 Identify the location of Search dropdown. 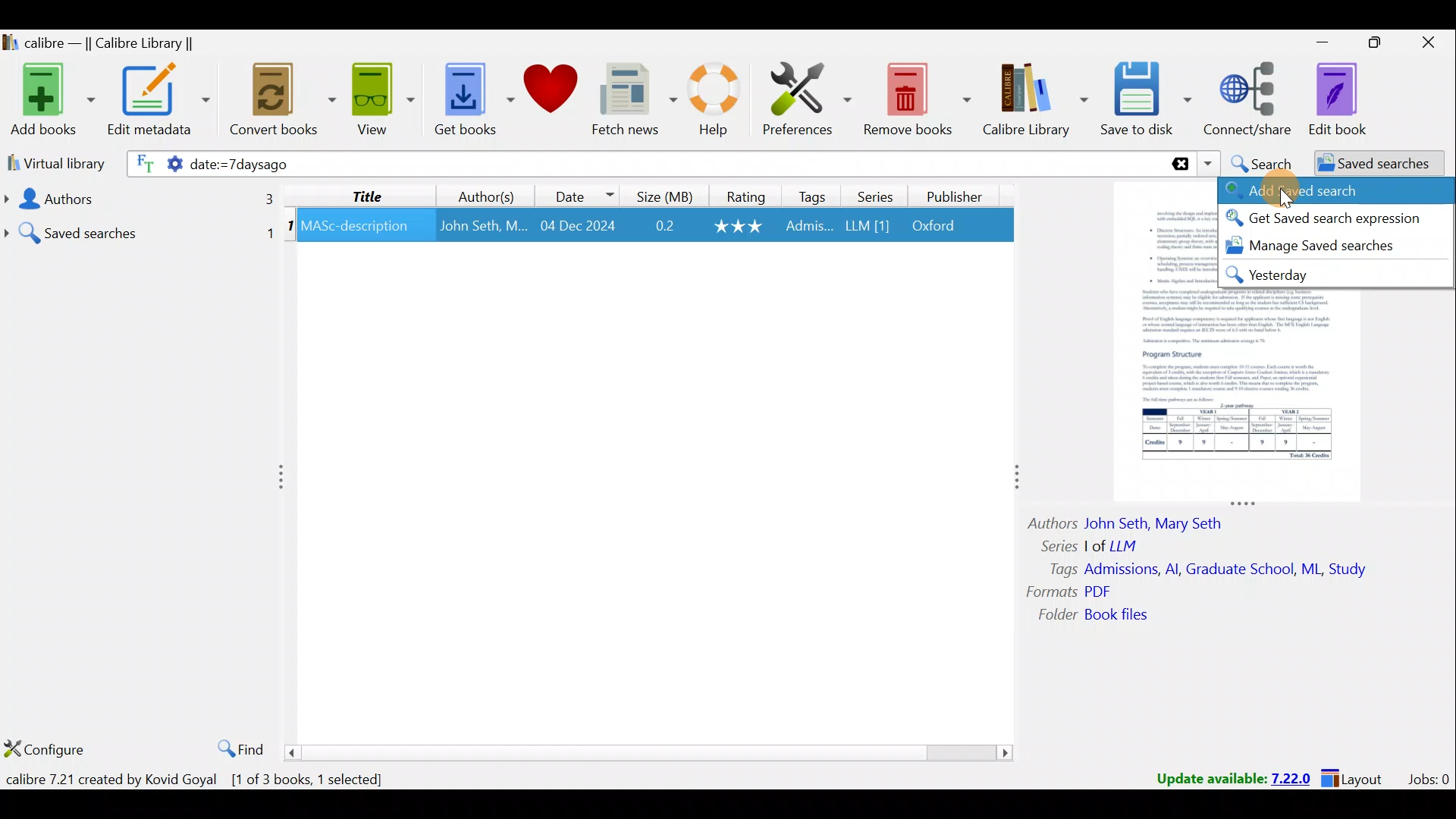
(1207, 164).